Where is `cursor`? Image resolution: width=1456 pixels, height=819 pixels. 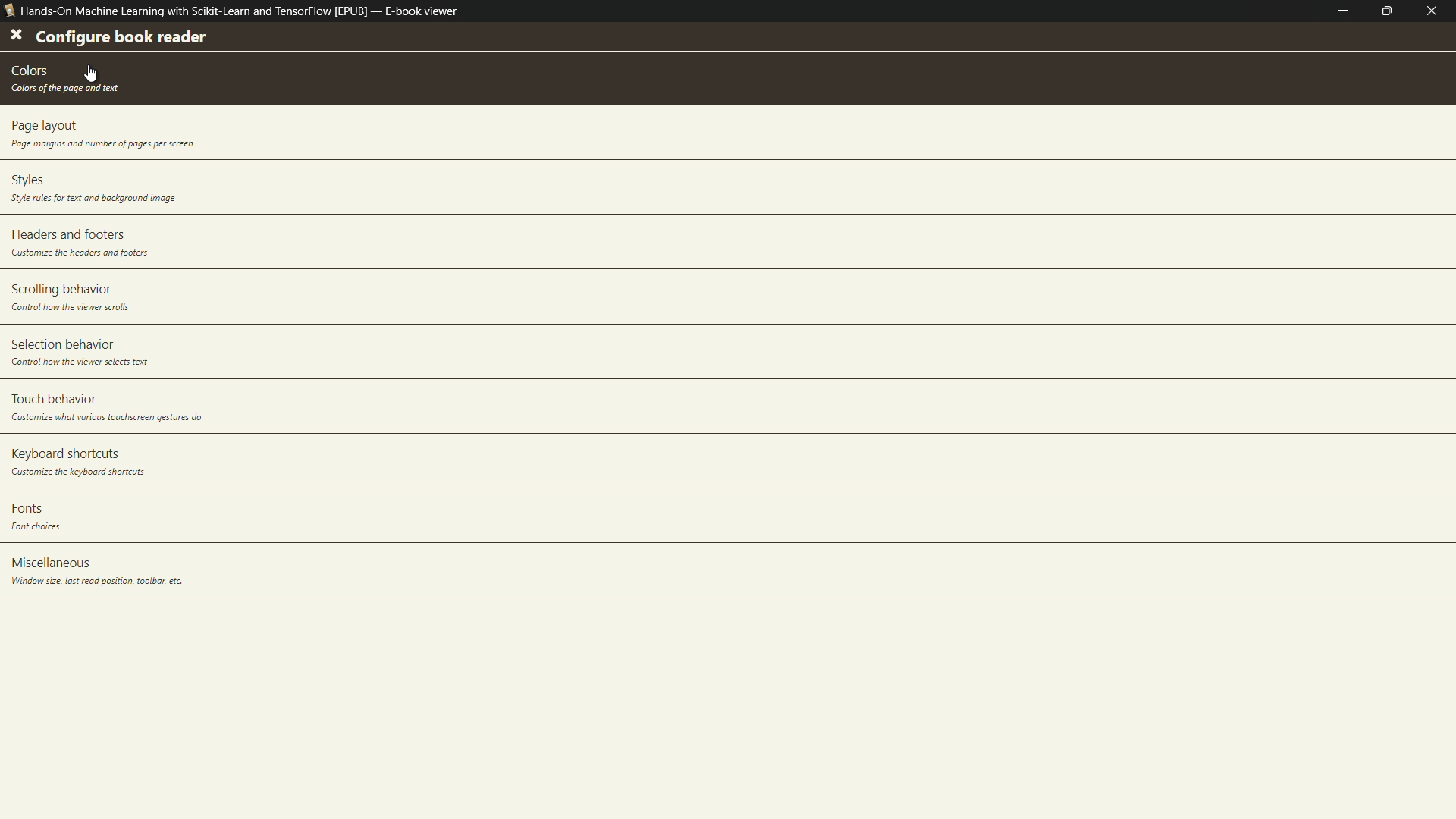
cursor is located at coordinates (92, 72).